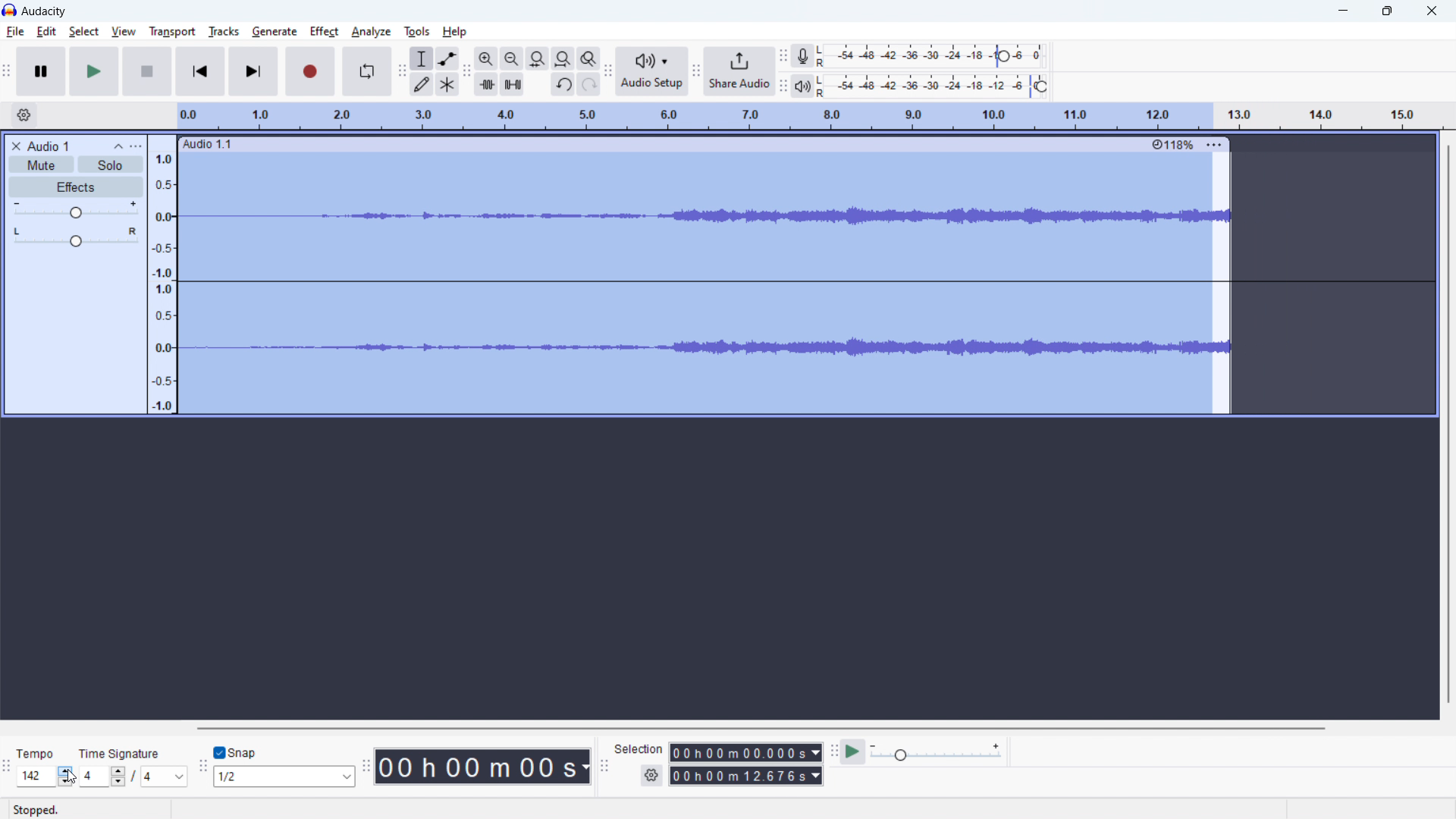  Describe the element at coordinates (852, 752) in the screenshot. I see `play at speed` at that location.